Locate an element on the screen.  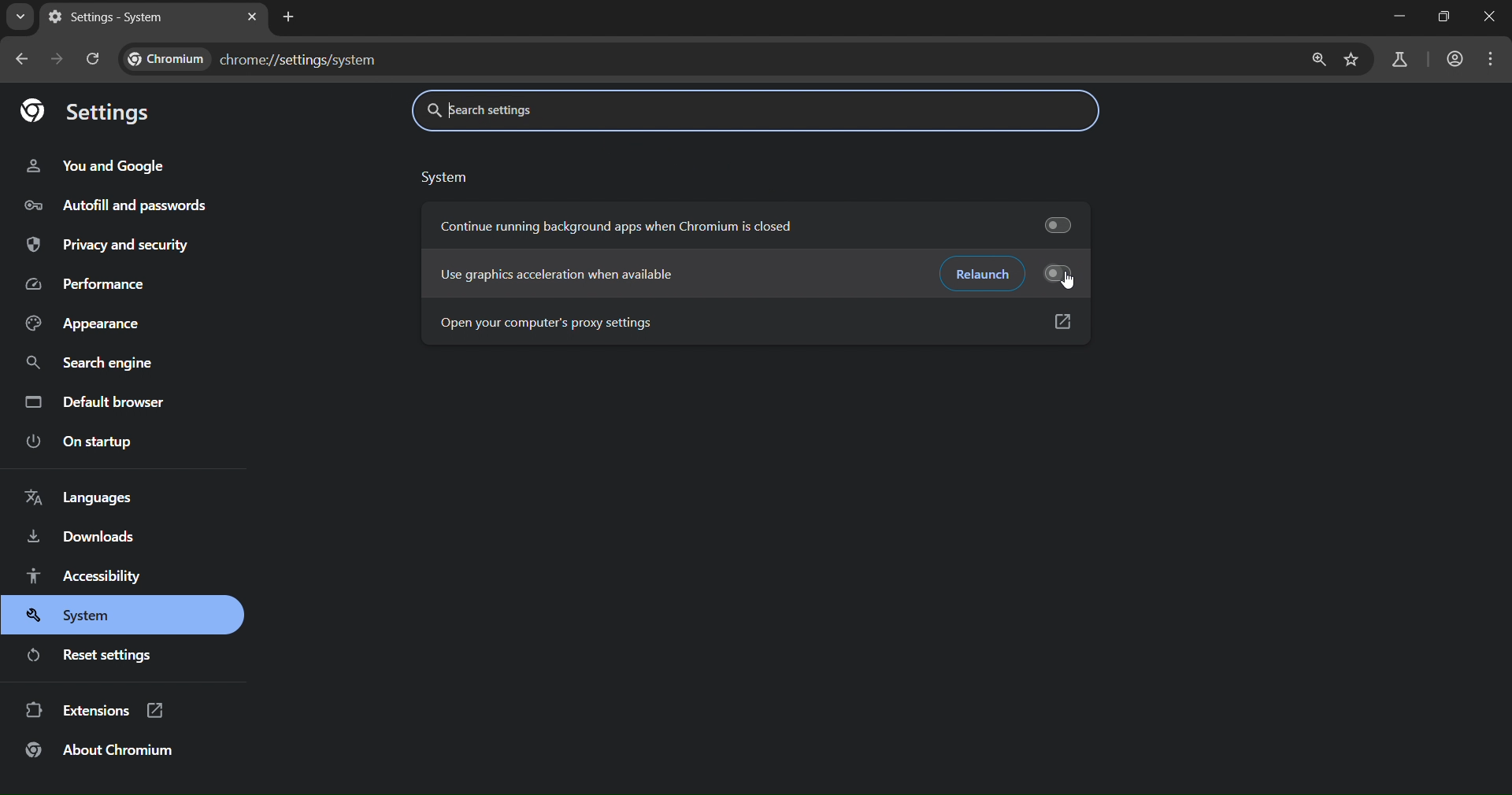
system is located at coordinates (76, 614).